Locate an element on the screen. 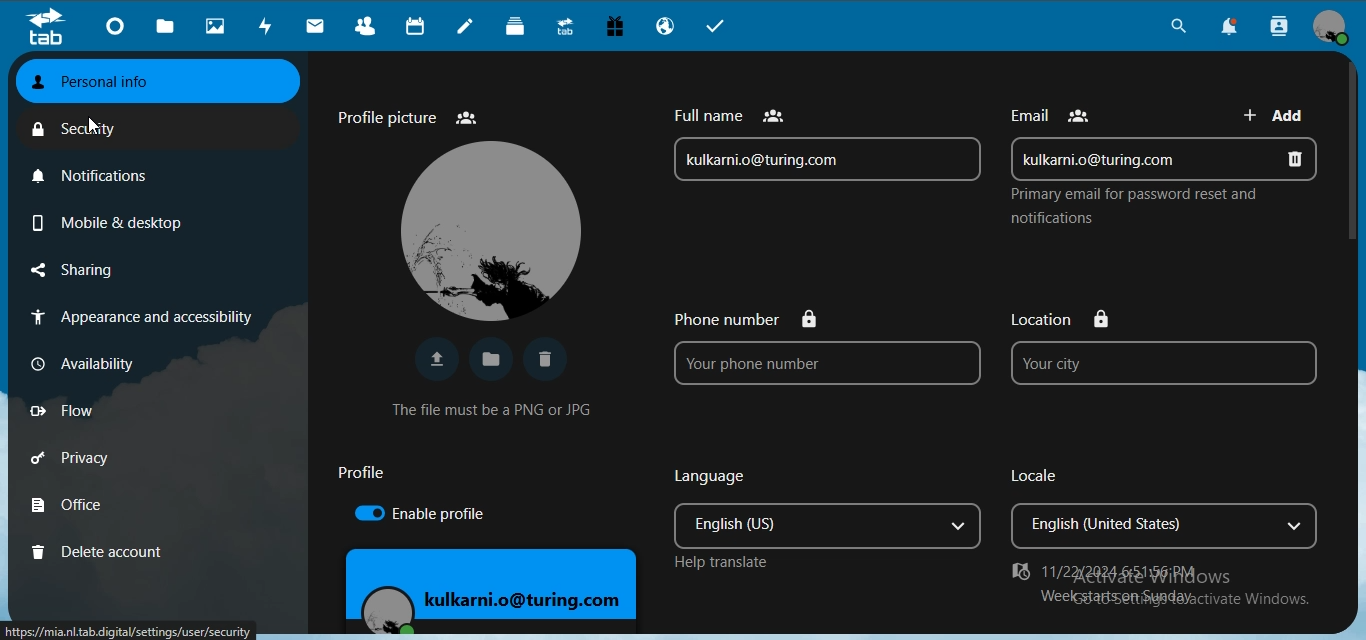  full name is located at coordinates (725, 116).